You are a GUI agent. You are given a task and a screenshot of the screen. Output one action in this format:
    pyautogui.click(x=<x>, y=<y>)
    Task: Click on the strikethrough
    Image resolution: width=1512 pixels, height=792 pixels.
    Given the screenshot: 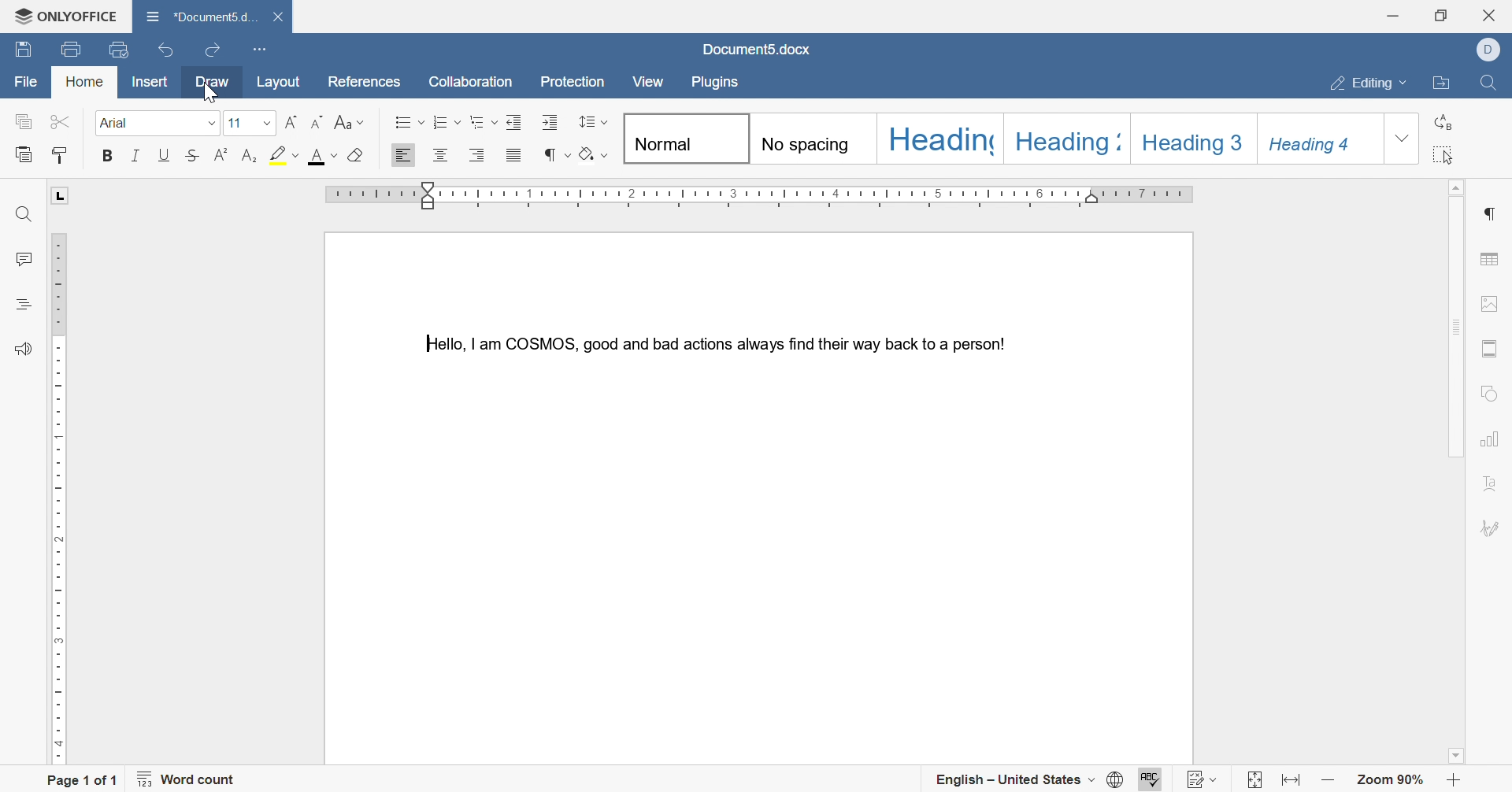 What is the action you would take?
    pyautogui.click(x=191, y=155)
    